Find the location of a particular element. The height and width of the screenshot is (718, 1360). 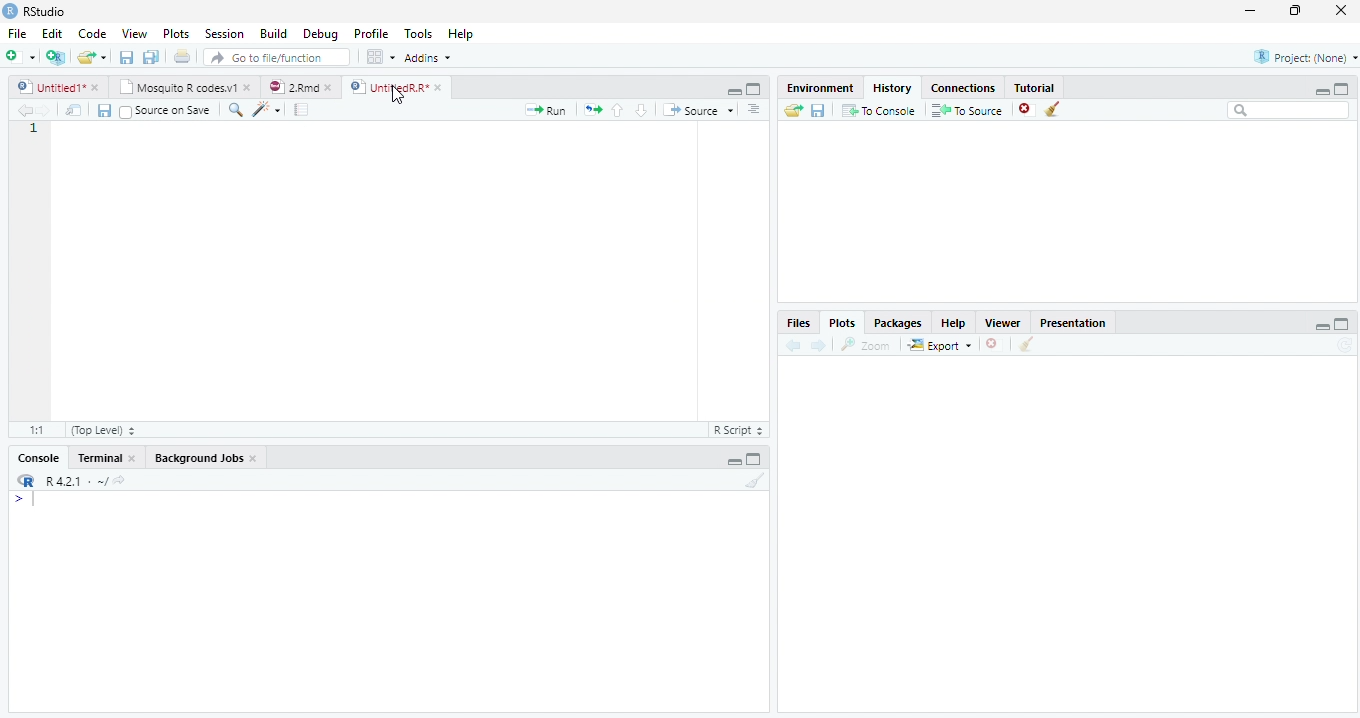

Connections is located at coordinates (961, 88).